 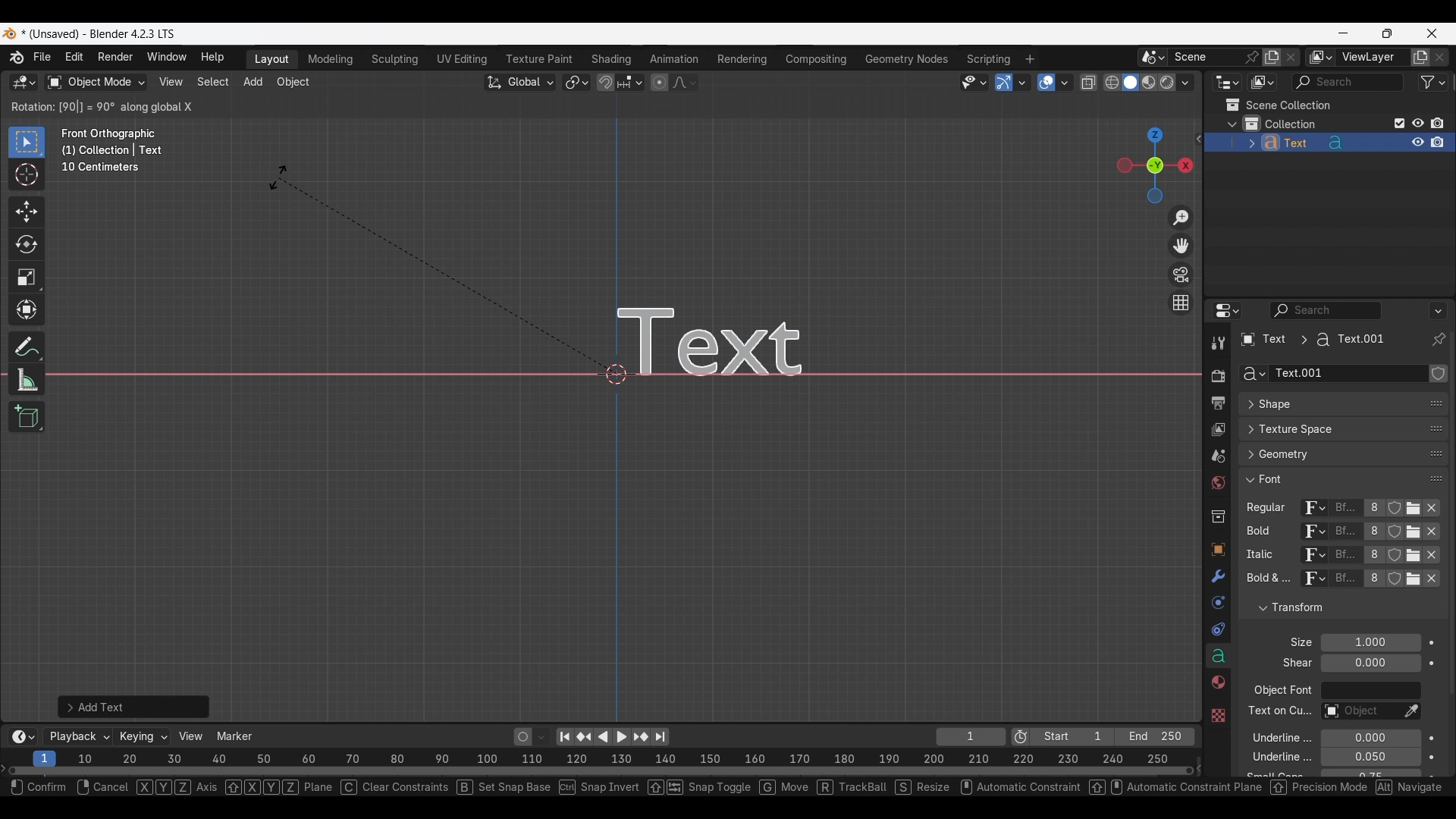 What do you see at coordinates (1217, 516) in the screenshot?
I see `Collection` at bounding box center [1217, 516].